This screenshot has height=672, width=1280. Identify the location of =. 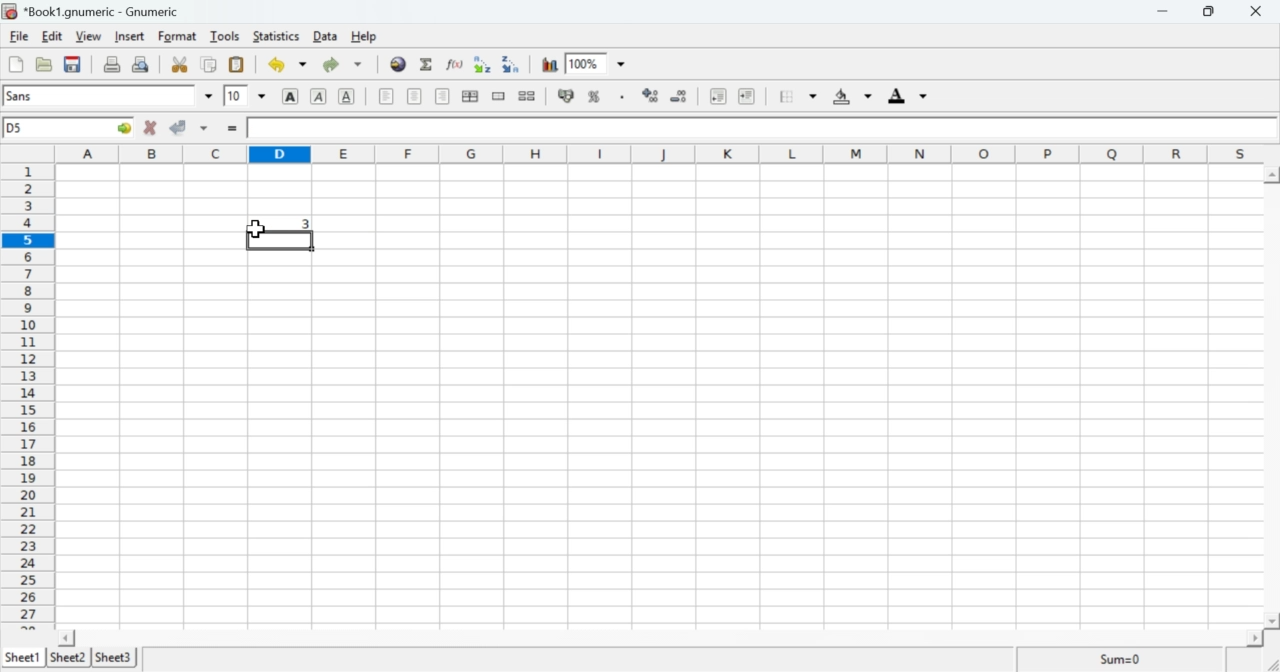
(231, 130).